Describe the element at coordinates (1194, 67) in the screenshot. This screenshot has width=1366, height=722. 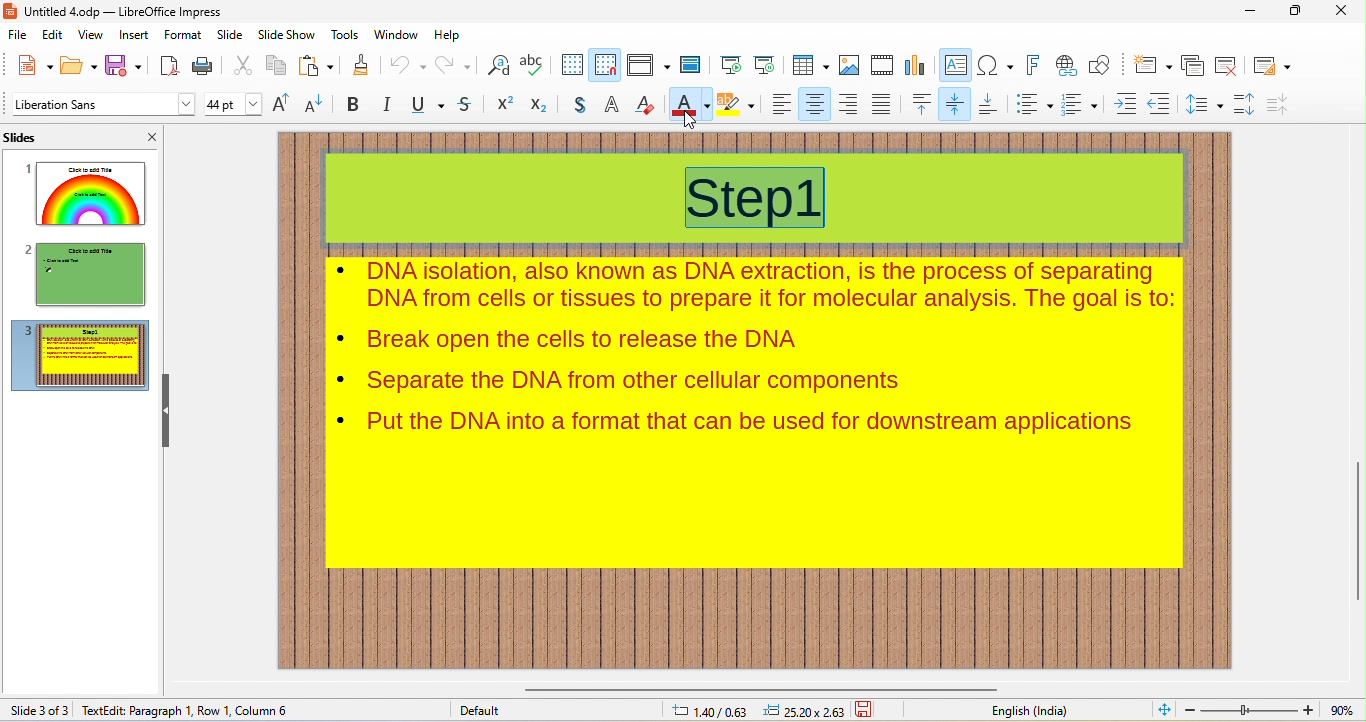
I see `duplicate slide` at that location.